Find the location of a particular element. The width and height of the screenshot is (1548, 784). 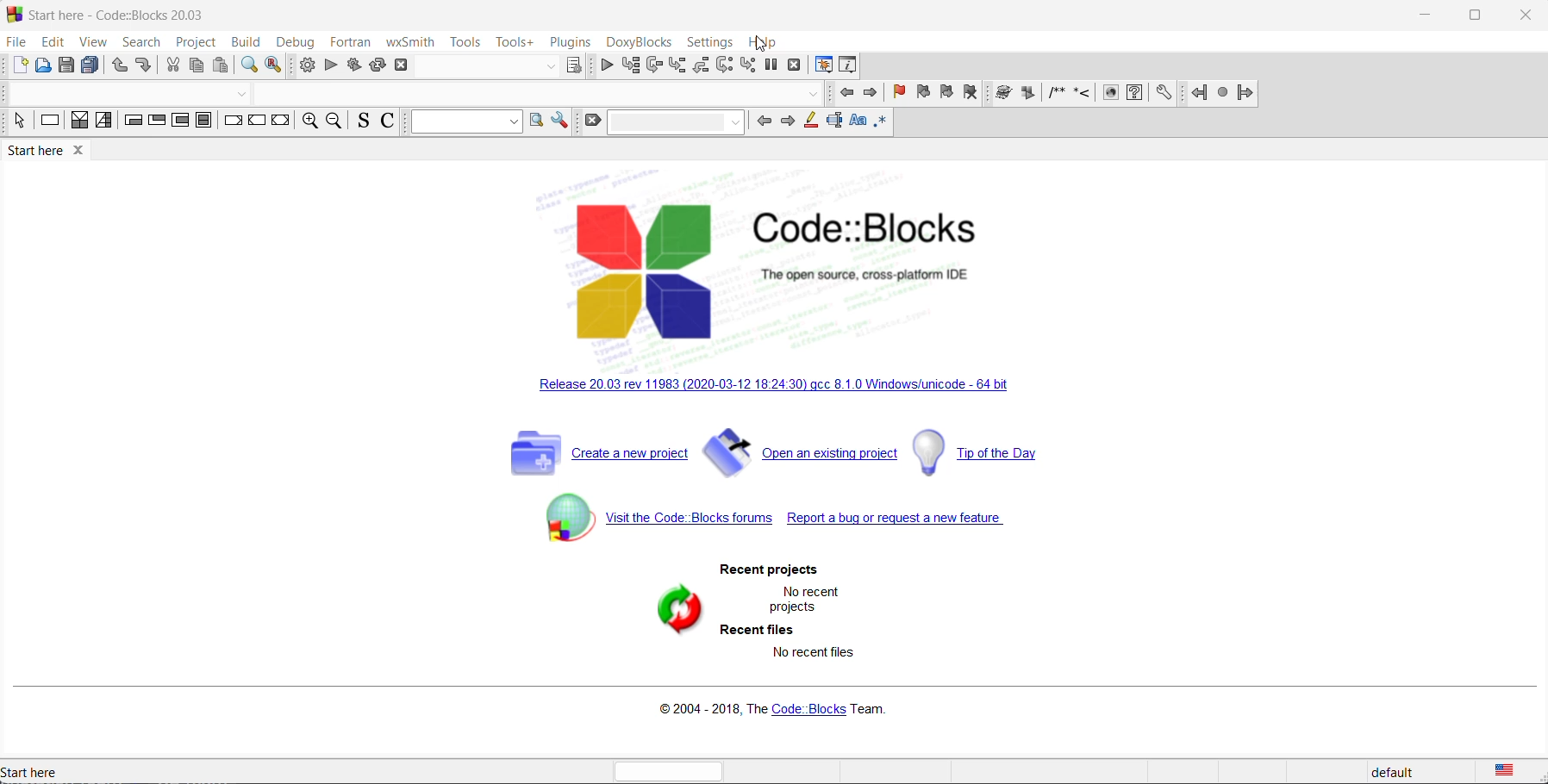

select text is located at coordinates (835, 121).